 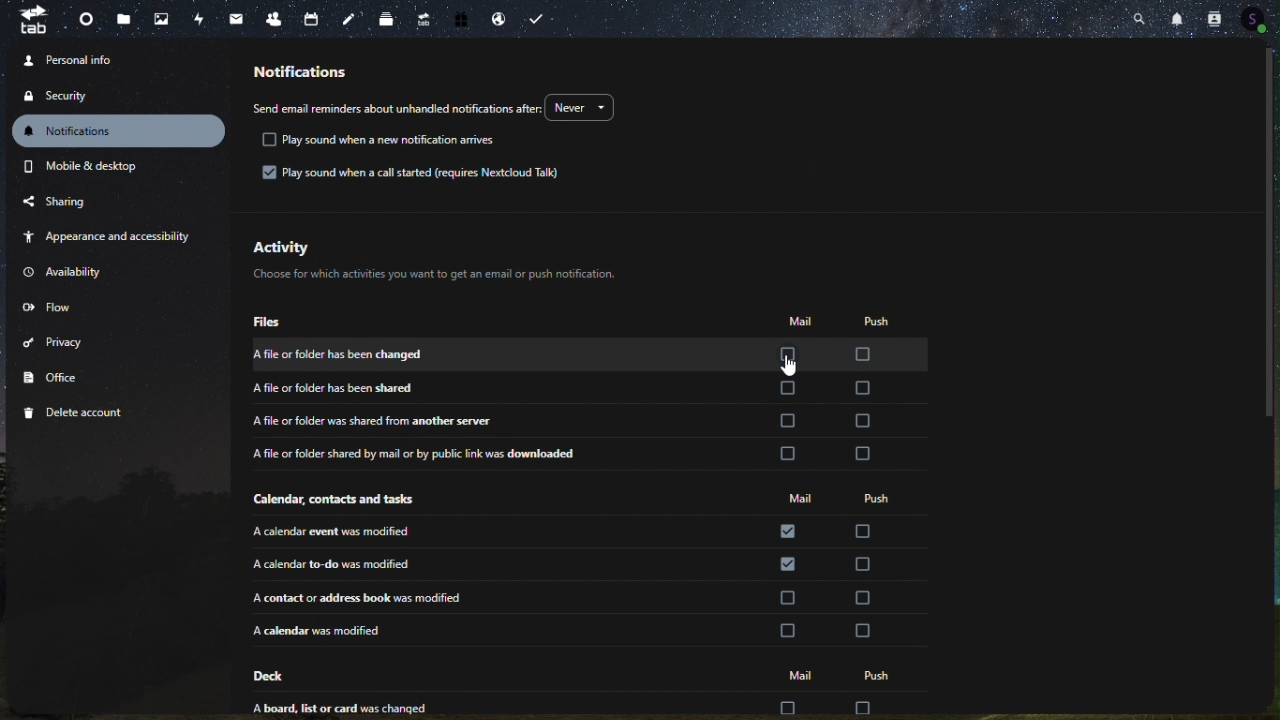 I want to click on contact, so click(x=1215, y=19).